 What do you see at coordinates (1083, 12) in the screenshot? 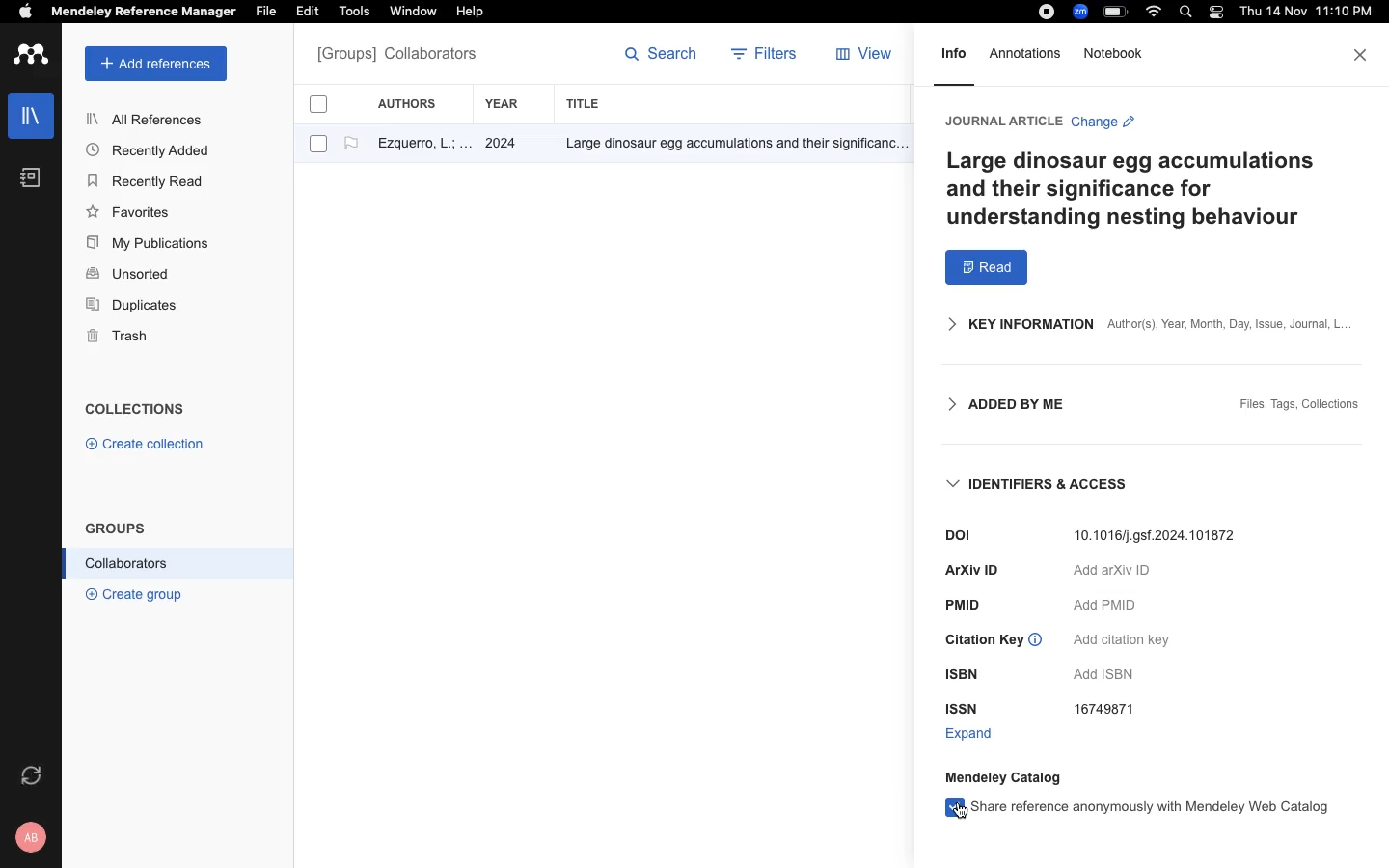
I see `zoom` at bounding box center [1083, 12].